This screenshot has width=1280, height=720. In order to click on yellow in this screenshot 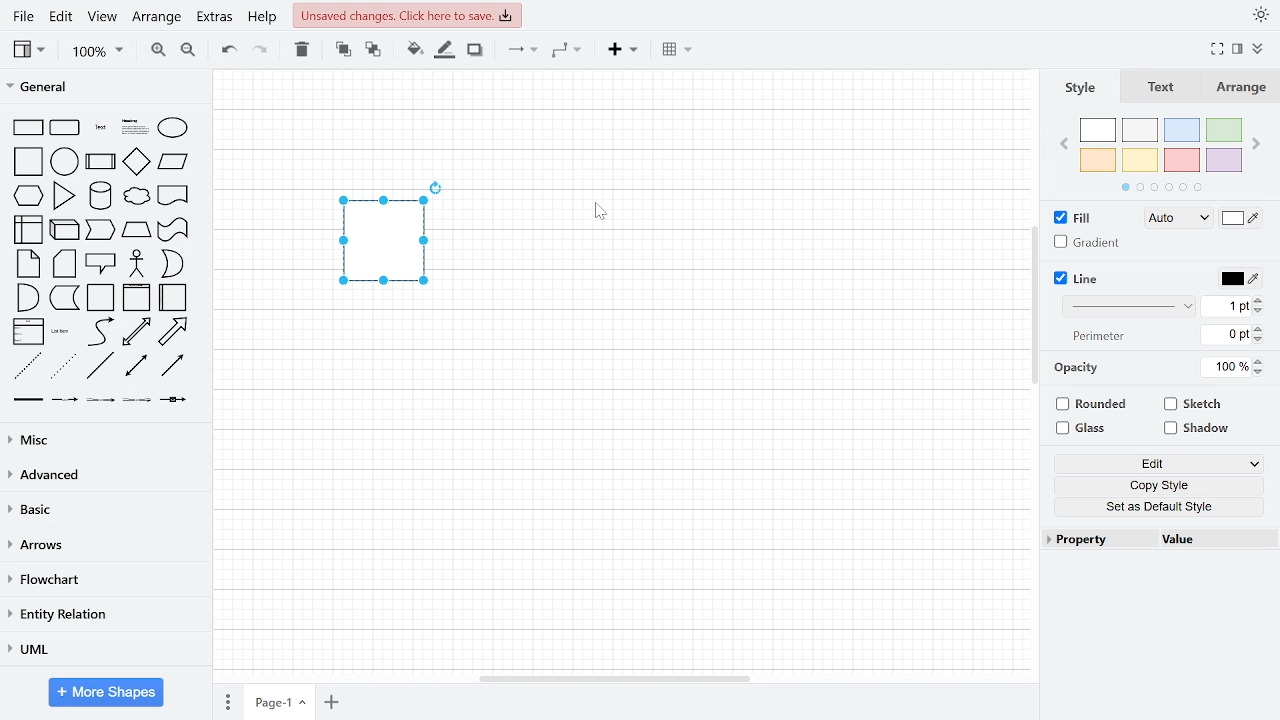, I will do `click(1138, 159)`.